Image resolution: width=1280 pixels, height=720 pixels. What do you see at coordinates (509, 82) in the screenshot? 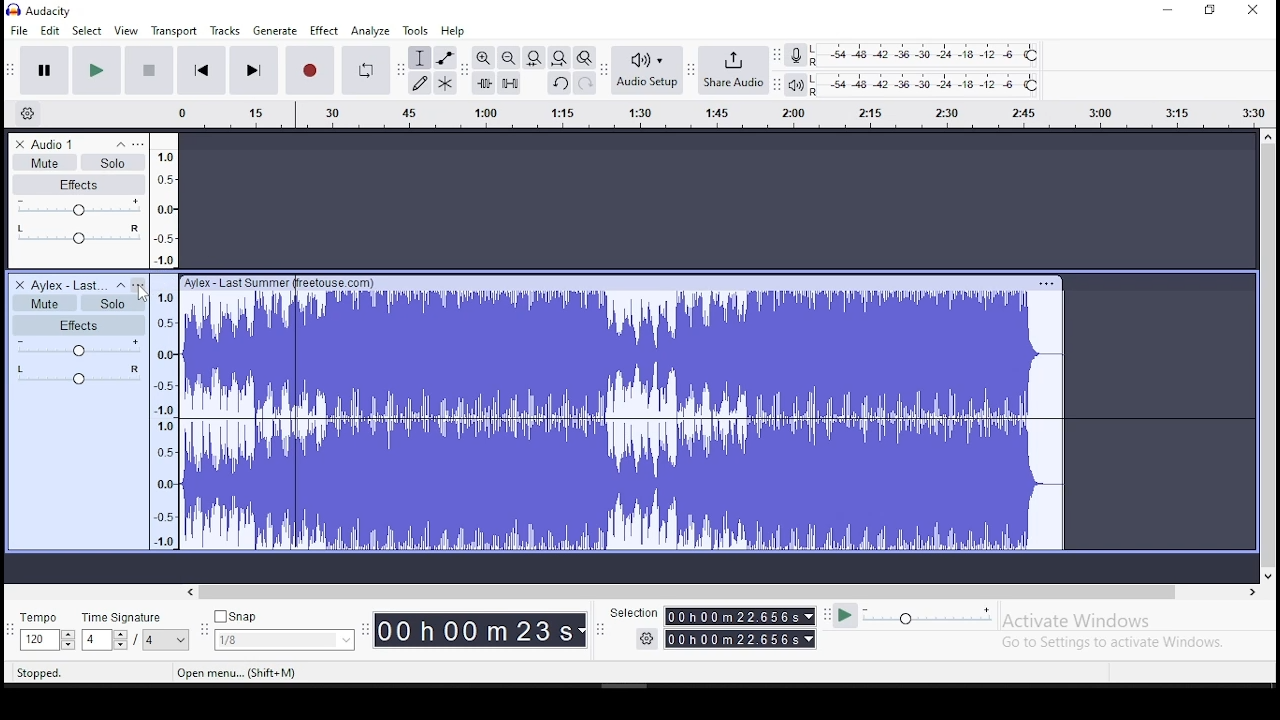
I see `silence audio selection` at bounding box center [509, 82].